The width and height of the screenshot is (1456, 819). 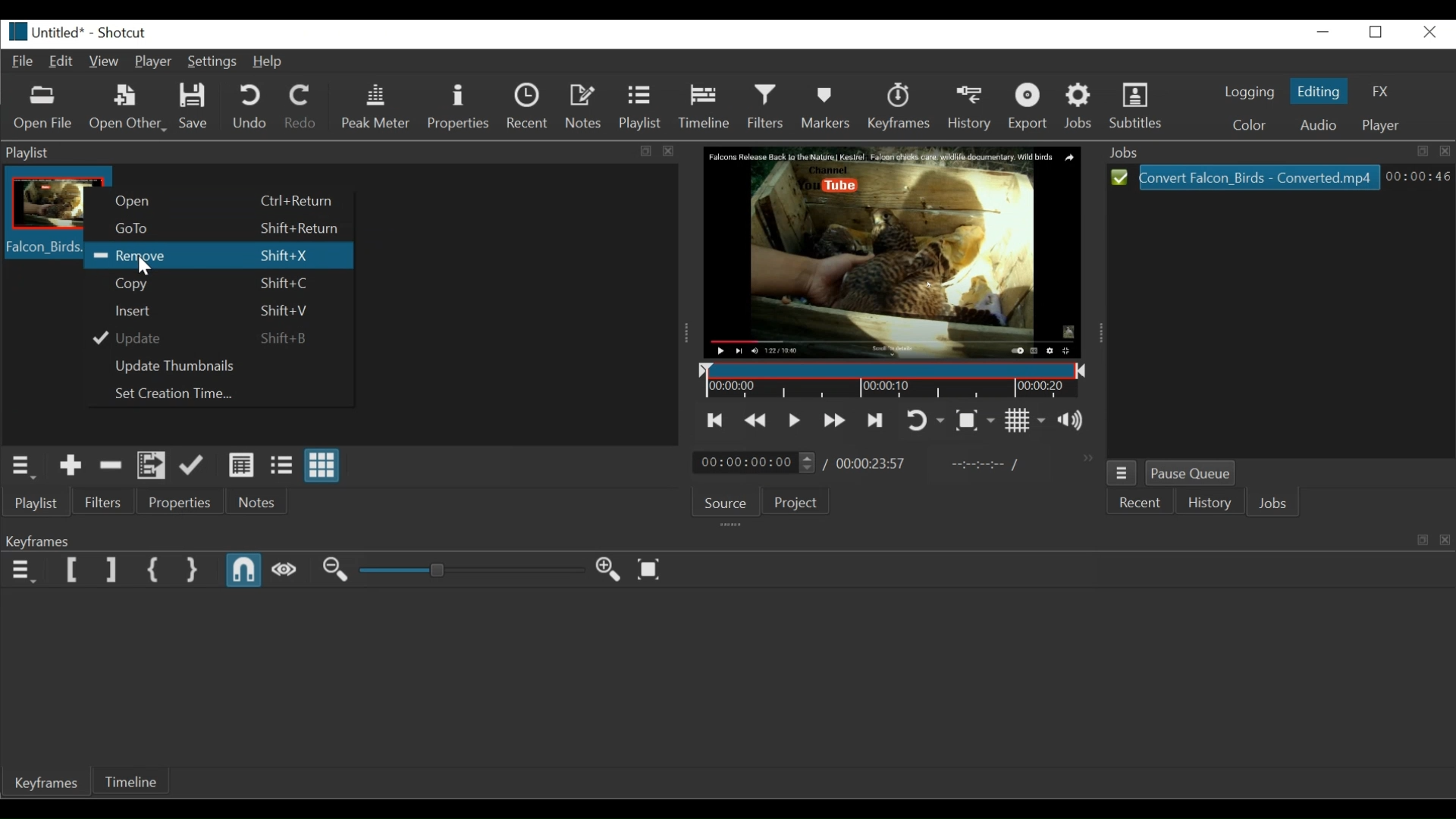 What do you see at coordinates (1316, 125) in the screenshot?
I see `Audio` at bounding box center [1316, 125].